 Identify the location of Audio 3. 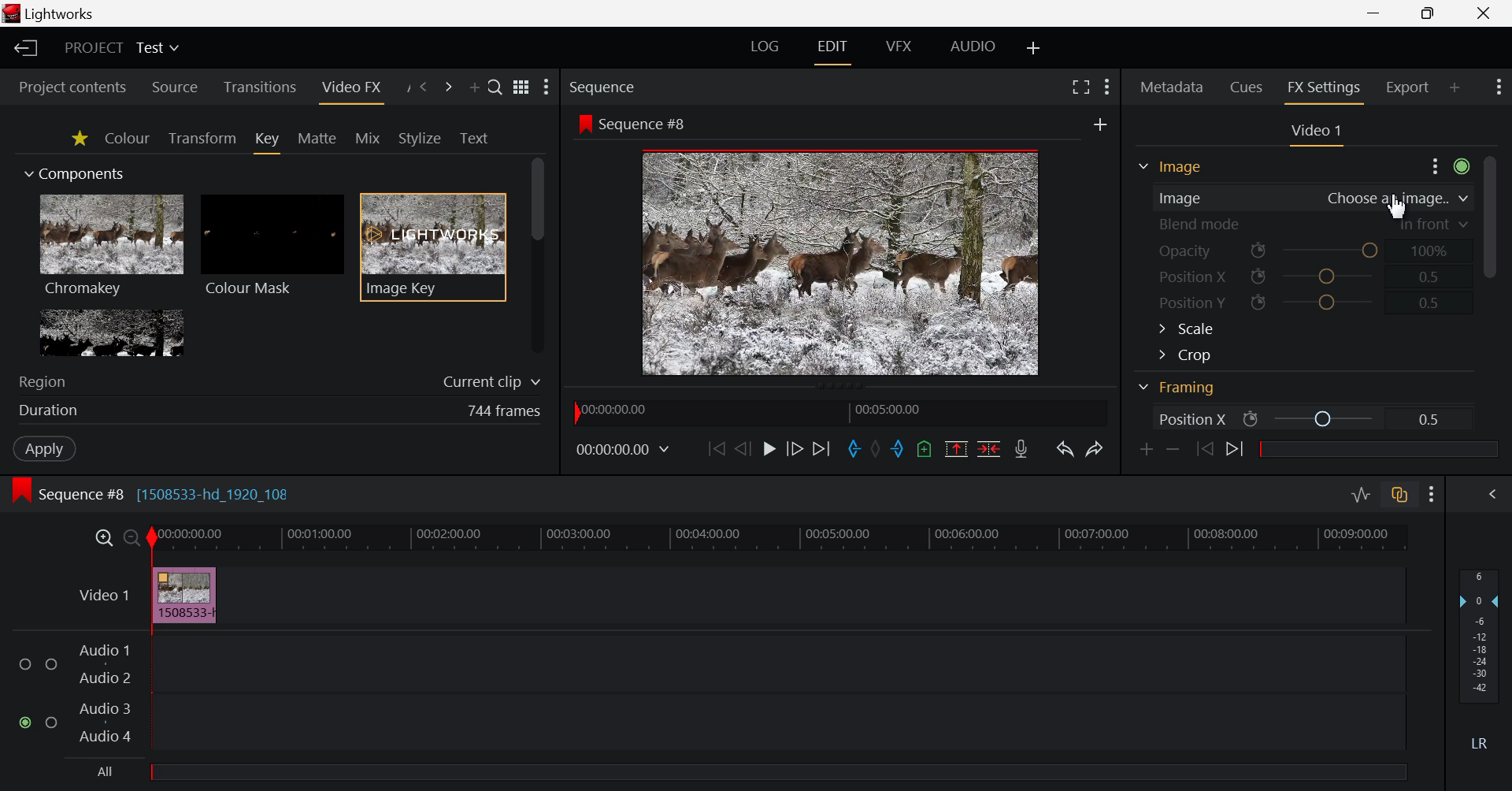
(106, 707).